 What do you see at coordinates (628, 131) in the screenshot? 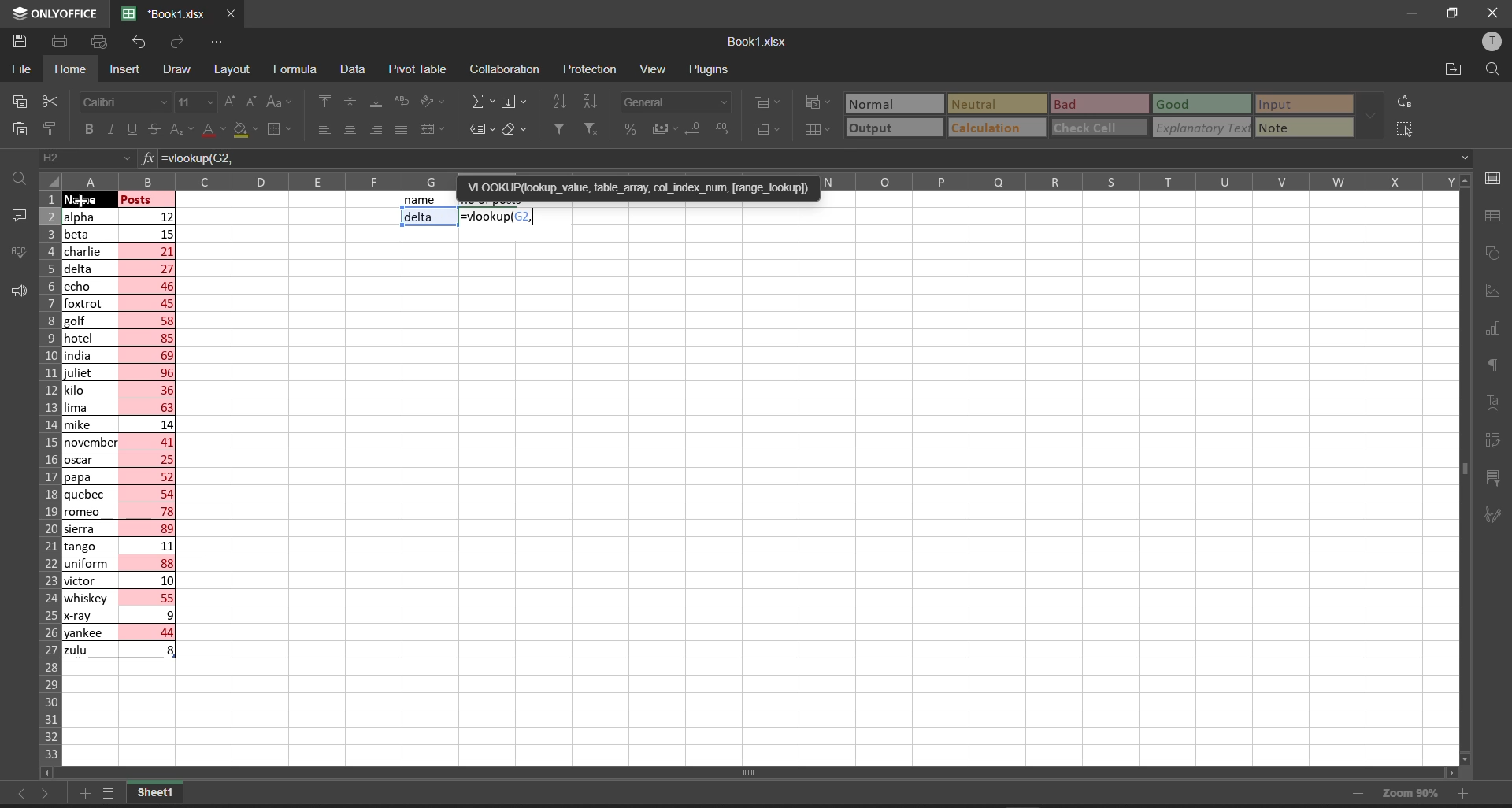
I see `percent style` at bounding box center [628, 131].